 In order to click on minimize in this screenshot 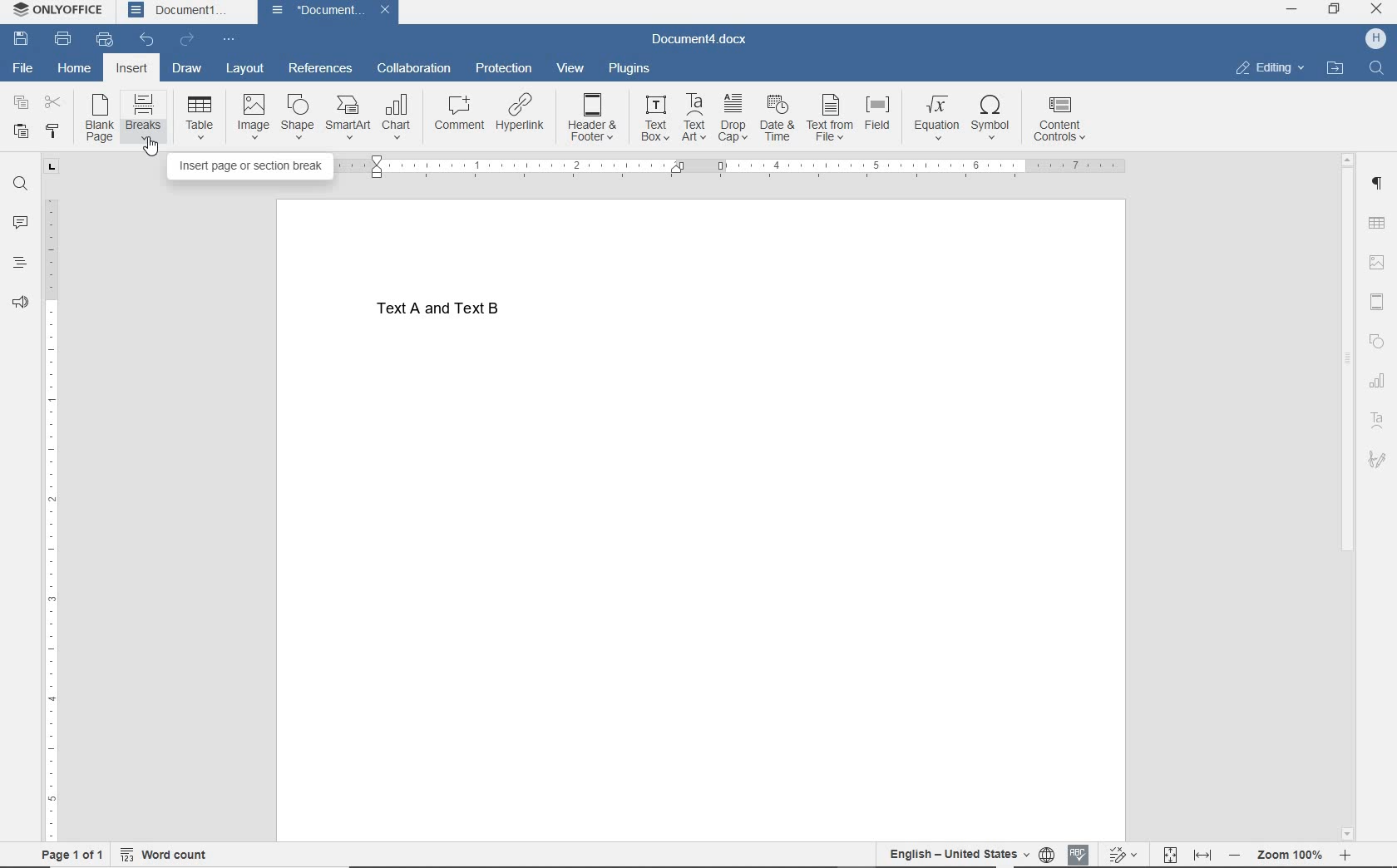, I will do `click(1291, 11)`.